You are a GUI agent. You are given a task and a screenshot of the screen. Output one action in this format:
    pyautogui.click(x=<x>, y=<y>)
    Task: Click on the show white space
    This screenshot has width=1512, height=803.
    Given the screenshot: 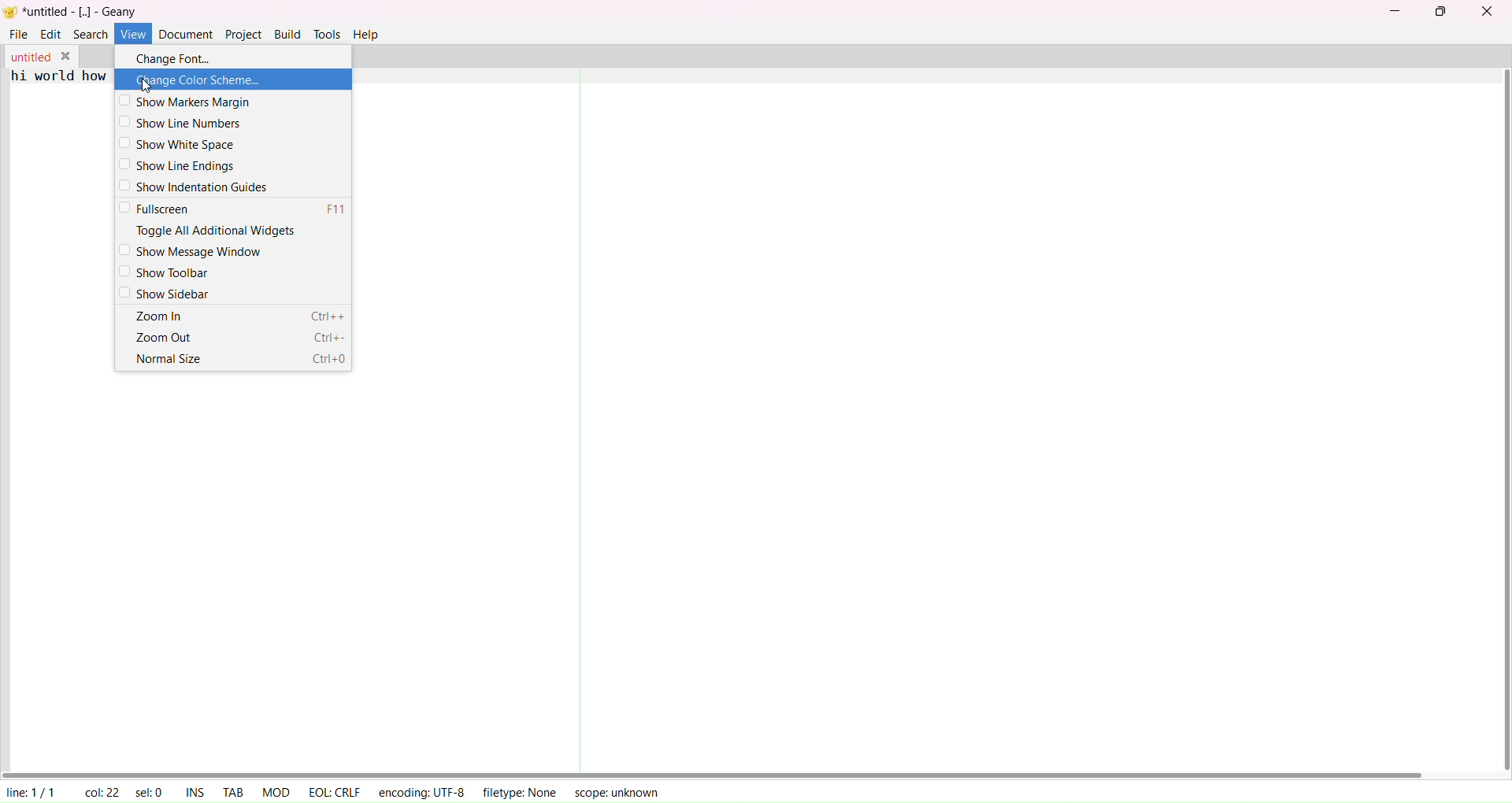 What is the action you would take?
    pyautogui.click(x=179, y=145)
    